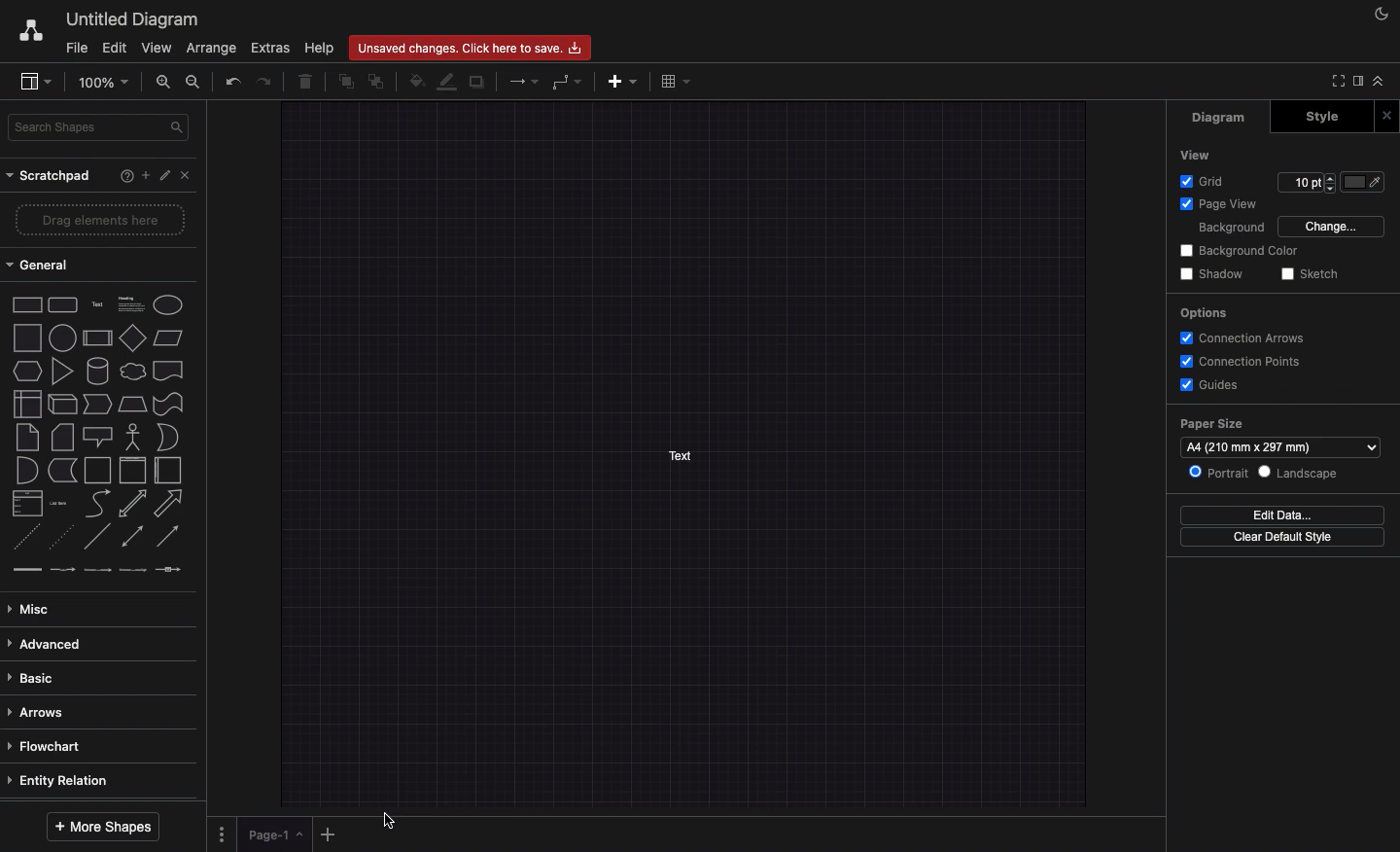  What do you see at coordinates (157, 47) in the screenshot?
I see `View` at bounding box center [157, 47].